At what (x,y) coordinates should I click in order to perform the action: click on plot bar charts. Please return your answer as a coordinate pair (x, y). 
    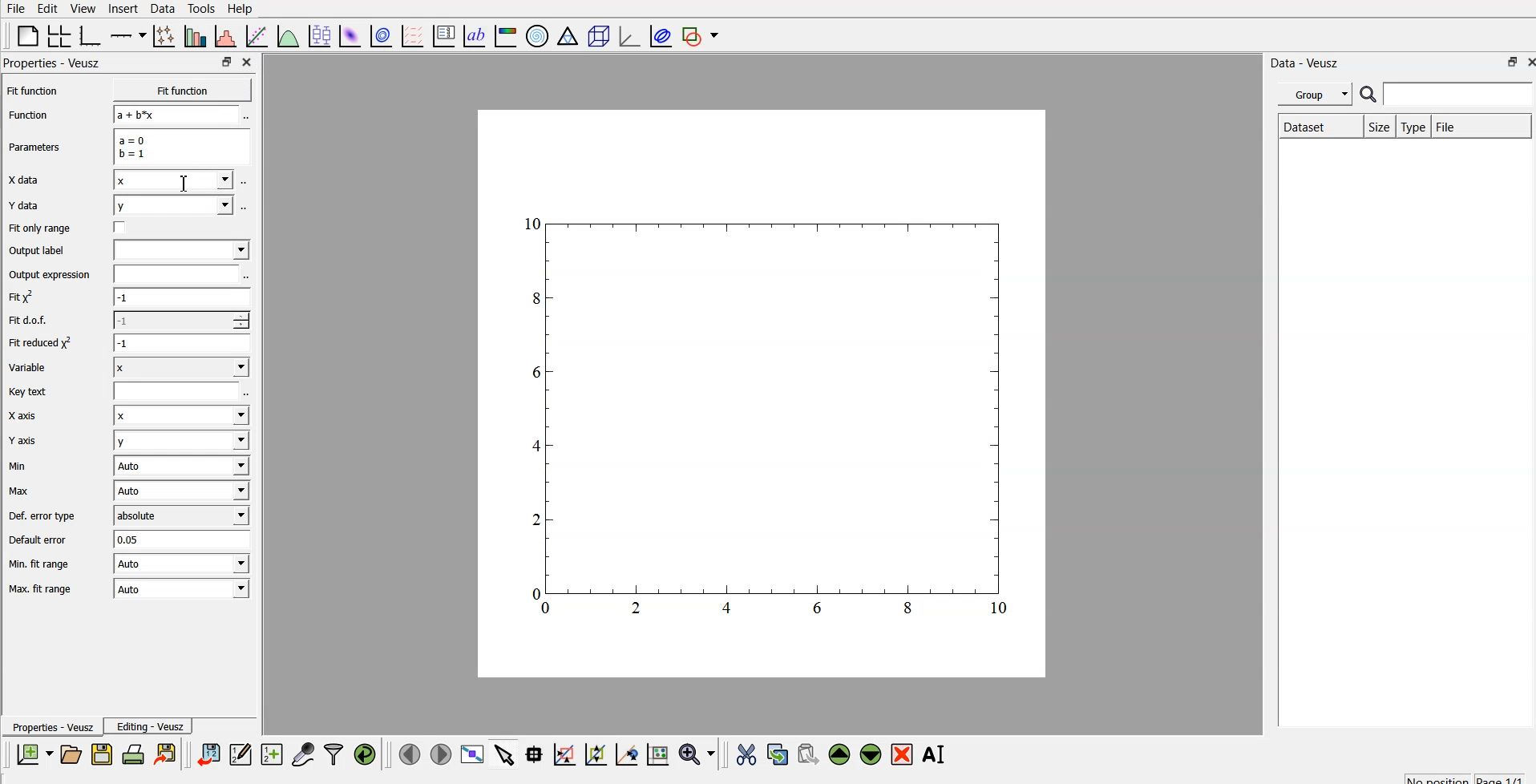
    Looking at the image, I should click on (195, 36).